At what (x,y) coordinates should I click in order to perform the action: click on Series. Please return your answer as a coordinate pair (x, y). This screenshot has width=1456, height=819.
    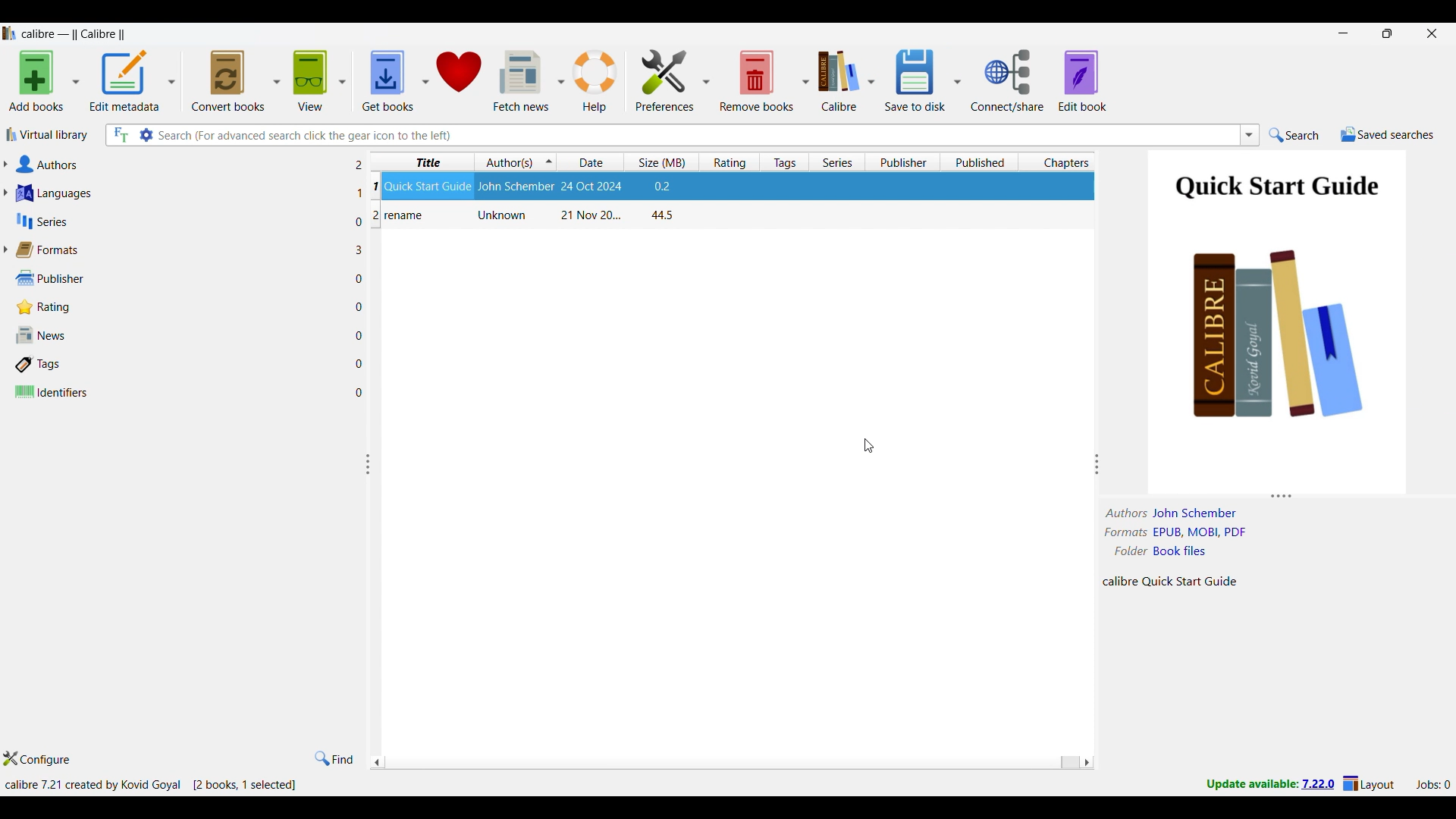
    Looking at the image, I should click on (181, 221).